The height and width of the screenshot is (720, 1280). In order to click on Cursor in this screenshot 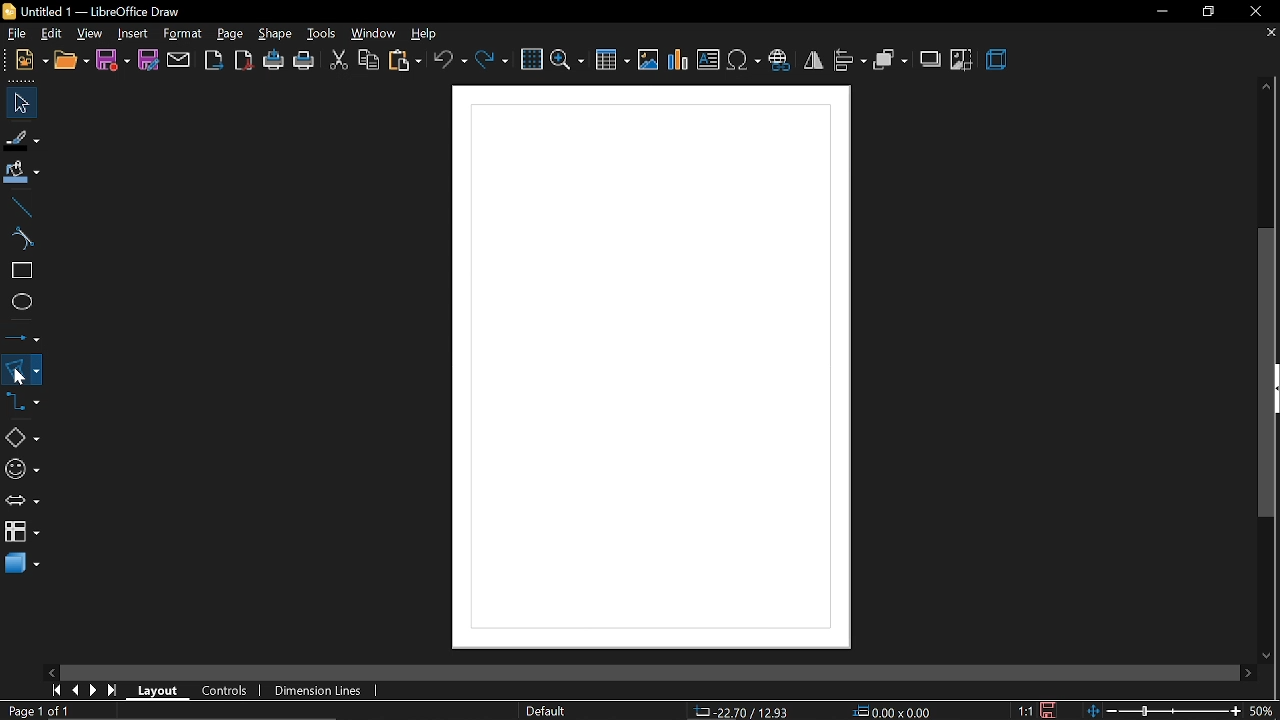, I will do `click(24, 377)`.